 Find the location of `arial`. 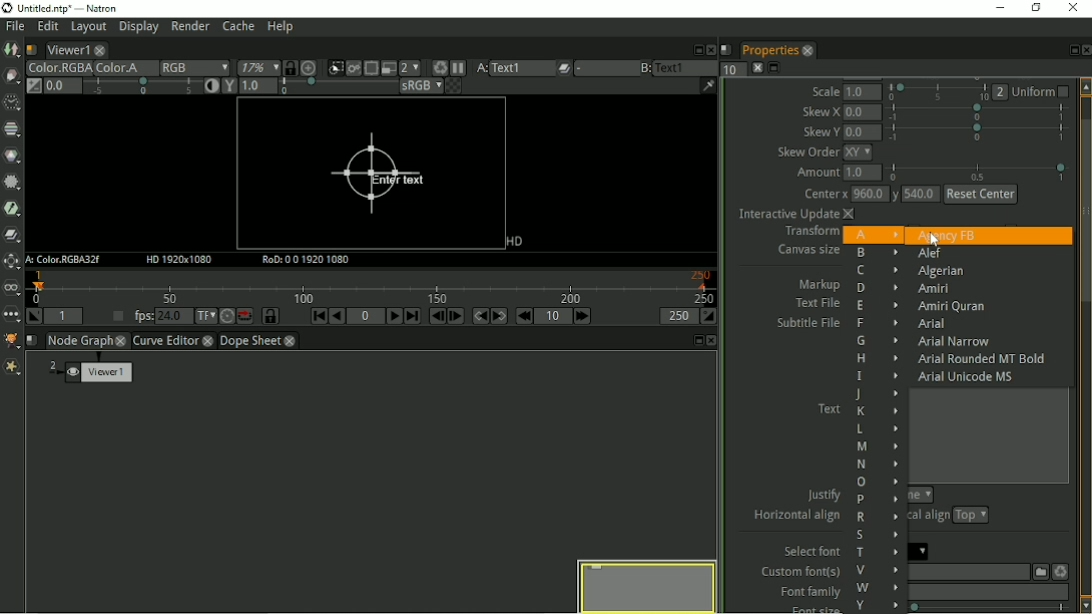

arial is located at coordinates (988, 592).